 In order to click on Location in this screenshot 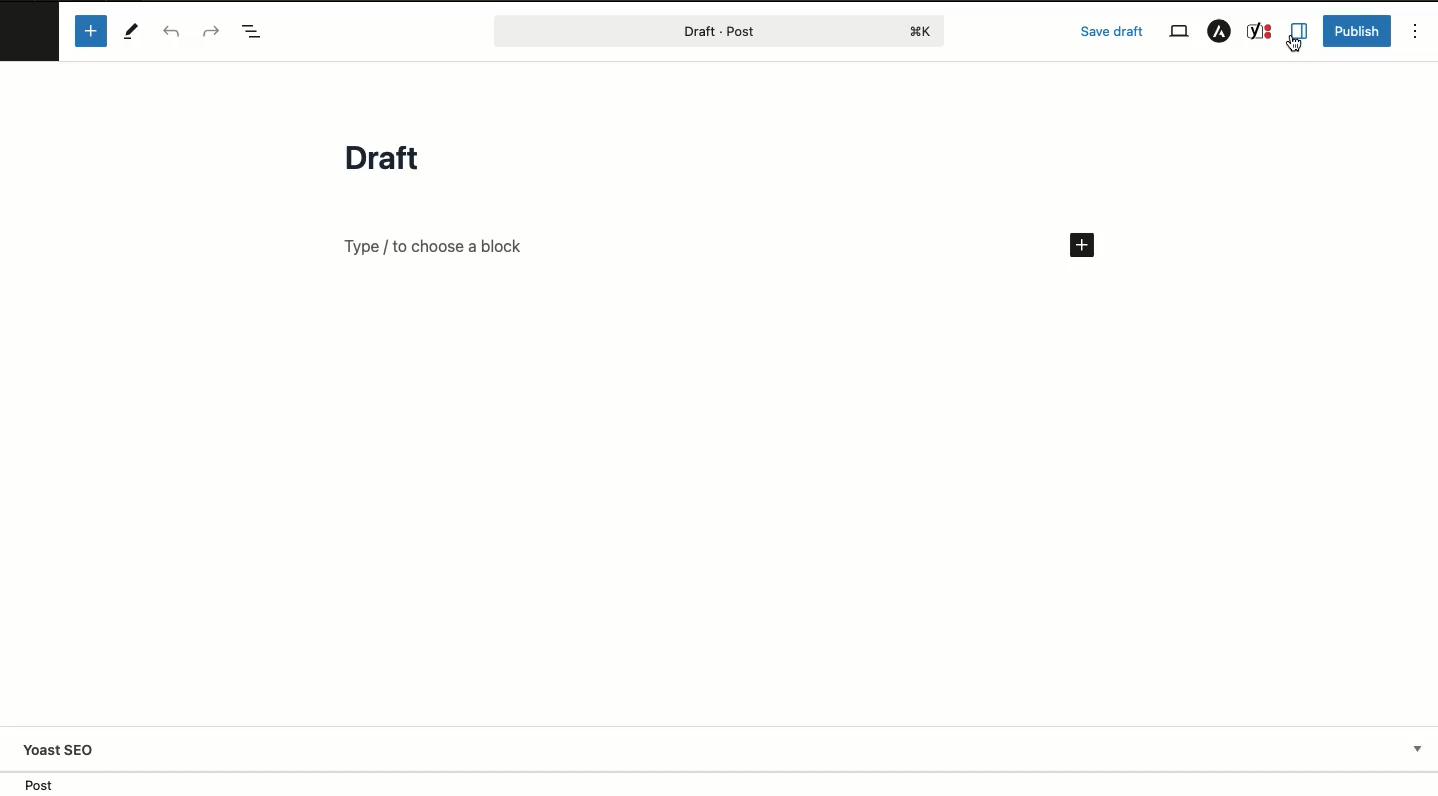, I will do `click(48, 783)`.